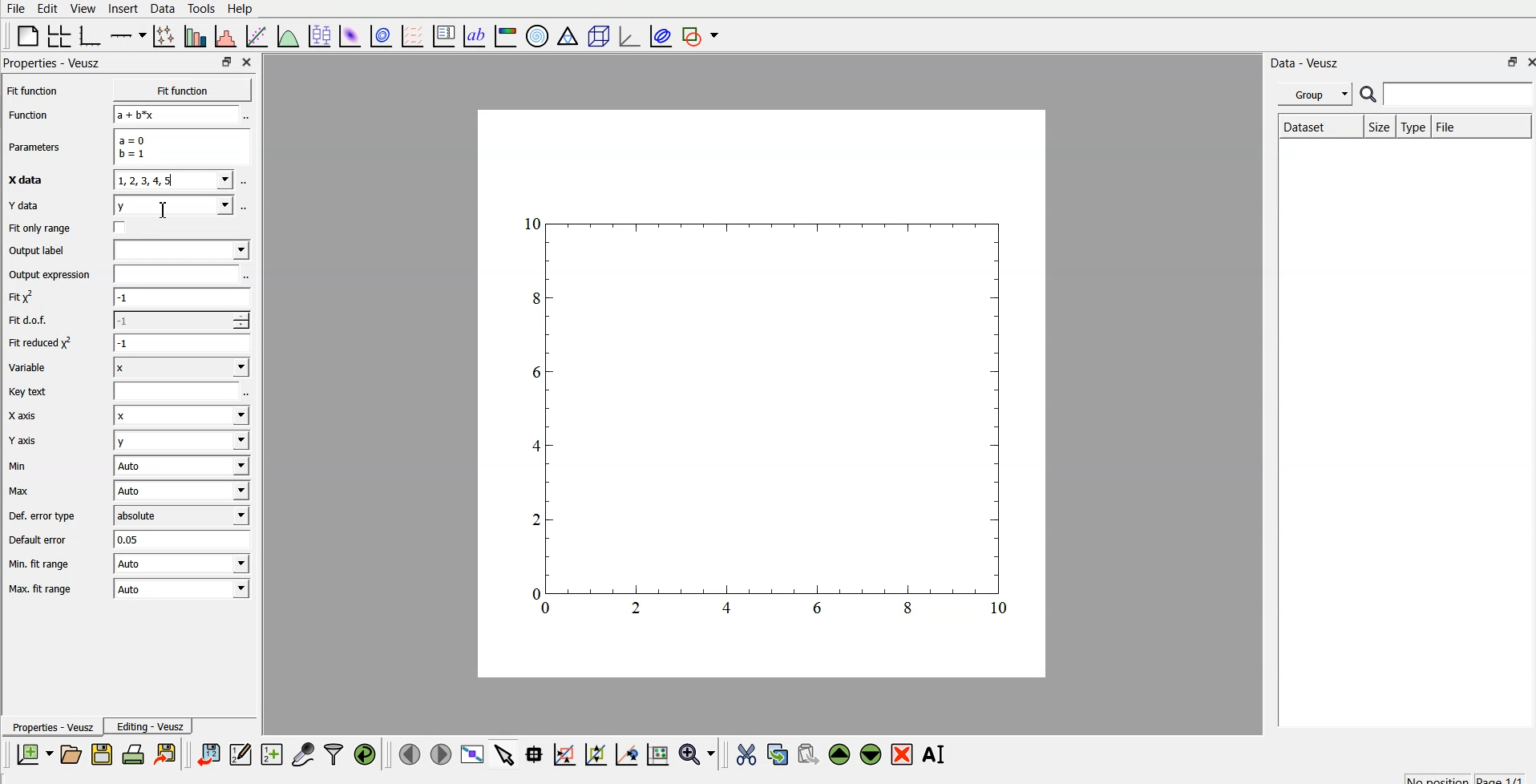 This screenshot has height=784, width=1536. Describe the element at coordinates (1368, 95) in the screenshot. I see `search` at that location.